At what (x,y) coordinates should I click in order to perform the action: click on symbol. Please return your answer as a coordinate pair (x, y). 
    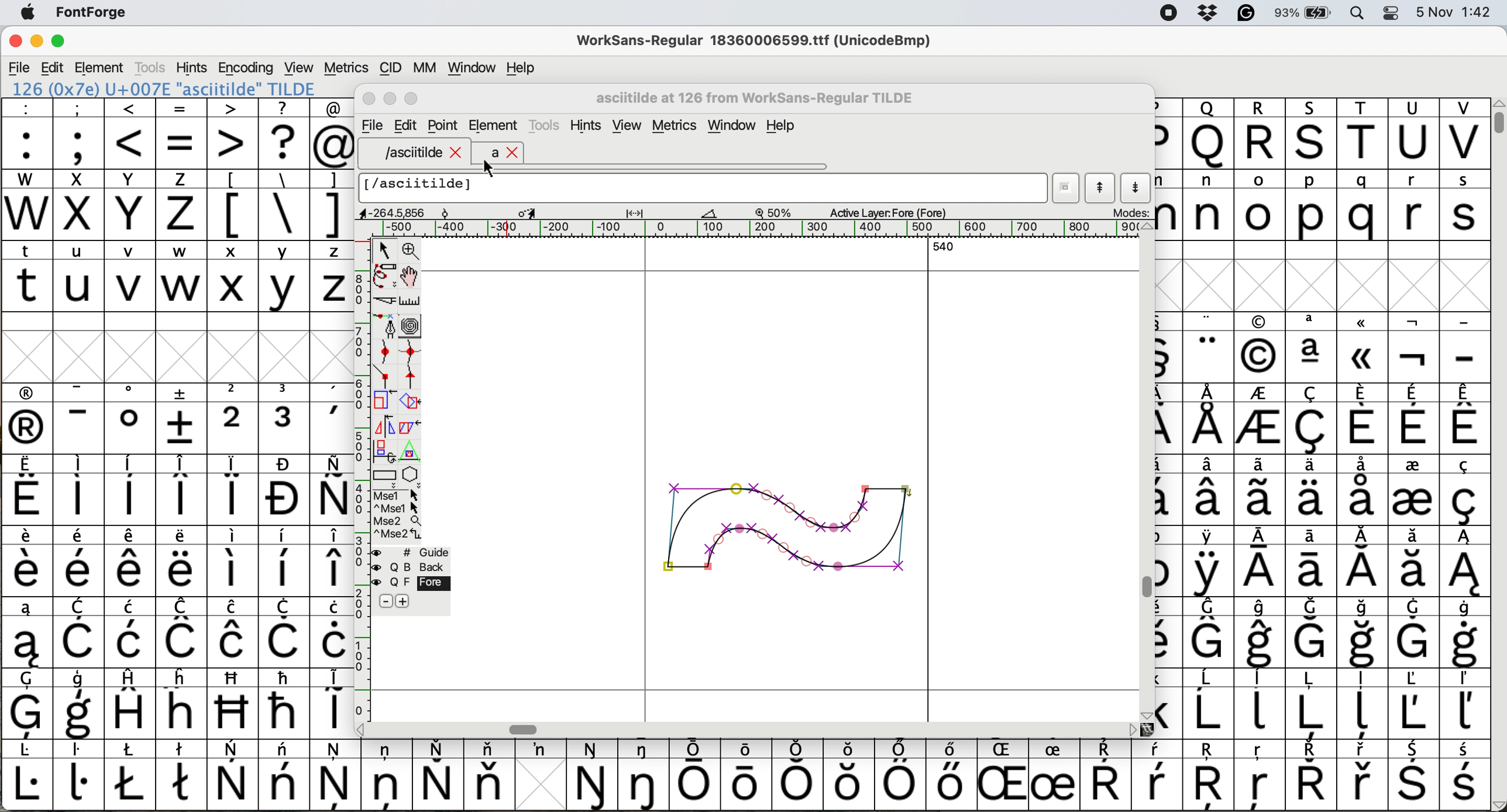
    Looking at the image, I should click on (1211, 490).